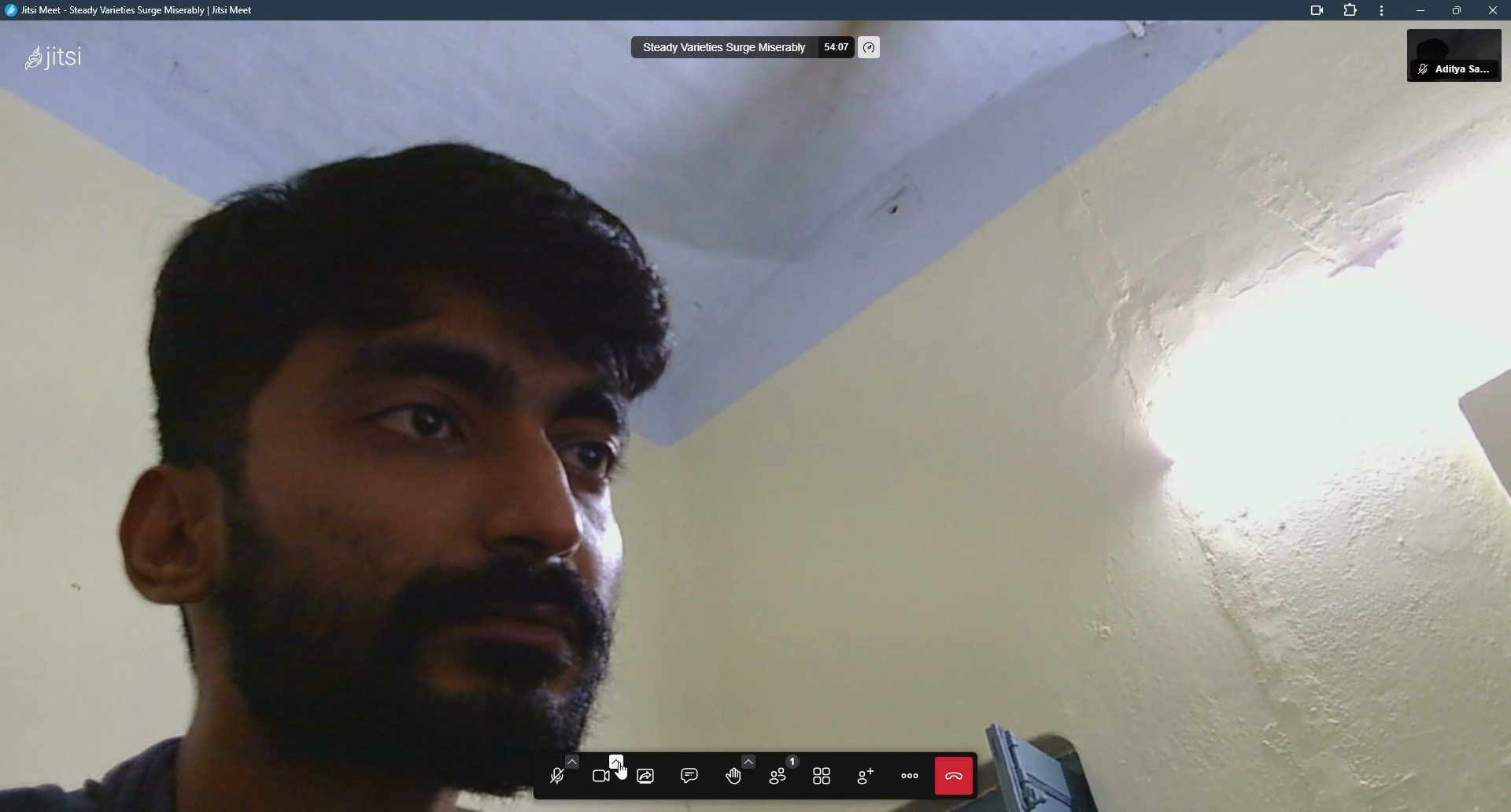 The height and width of the screenshot is (812, 1511). What do you see at coordinates (1456, 10) in the screenshot?
I see `maximize` at bounding box center [1456, 10].